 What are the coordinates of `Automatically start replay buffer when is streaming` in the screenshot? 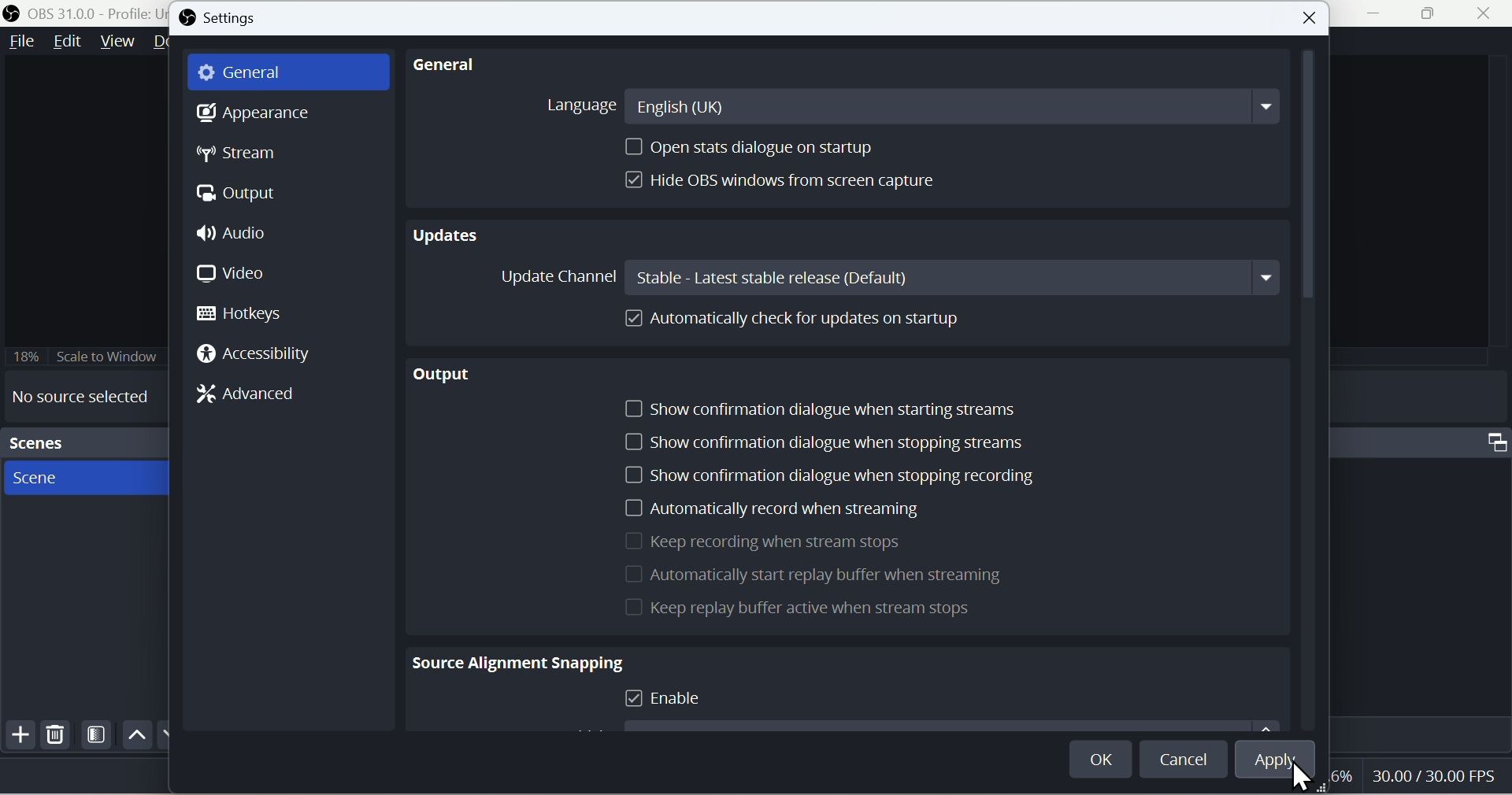 It's located at (813, 576).